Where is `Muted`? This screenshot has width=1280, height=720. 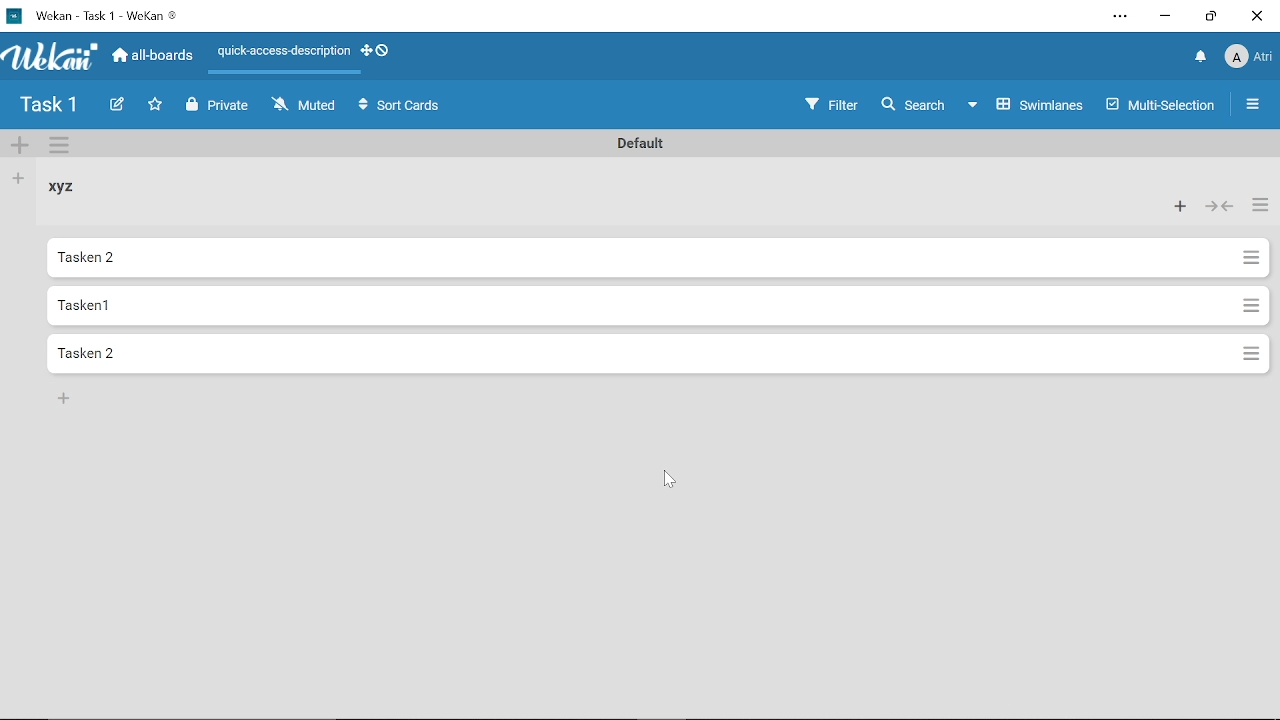
Muted is located at coordinates (306, 107).